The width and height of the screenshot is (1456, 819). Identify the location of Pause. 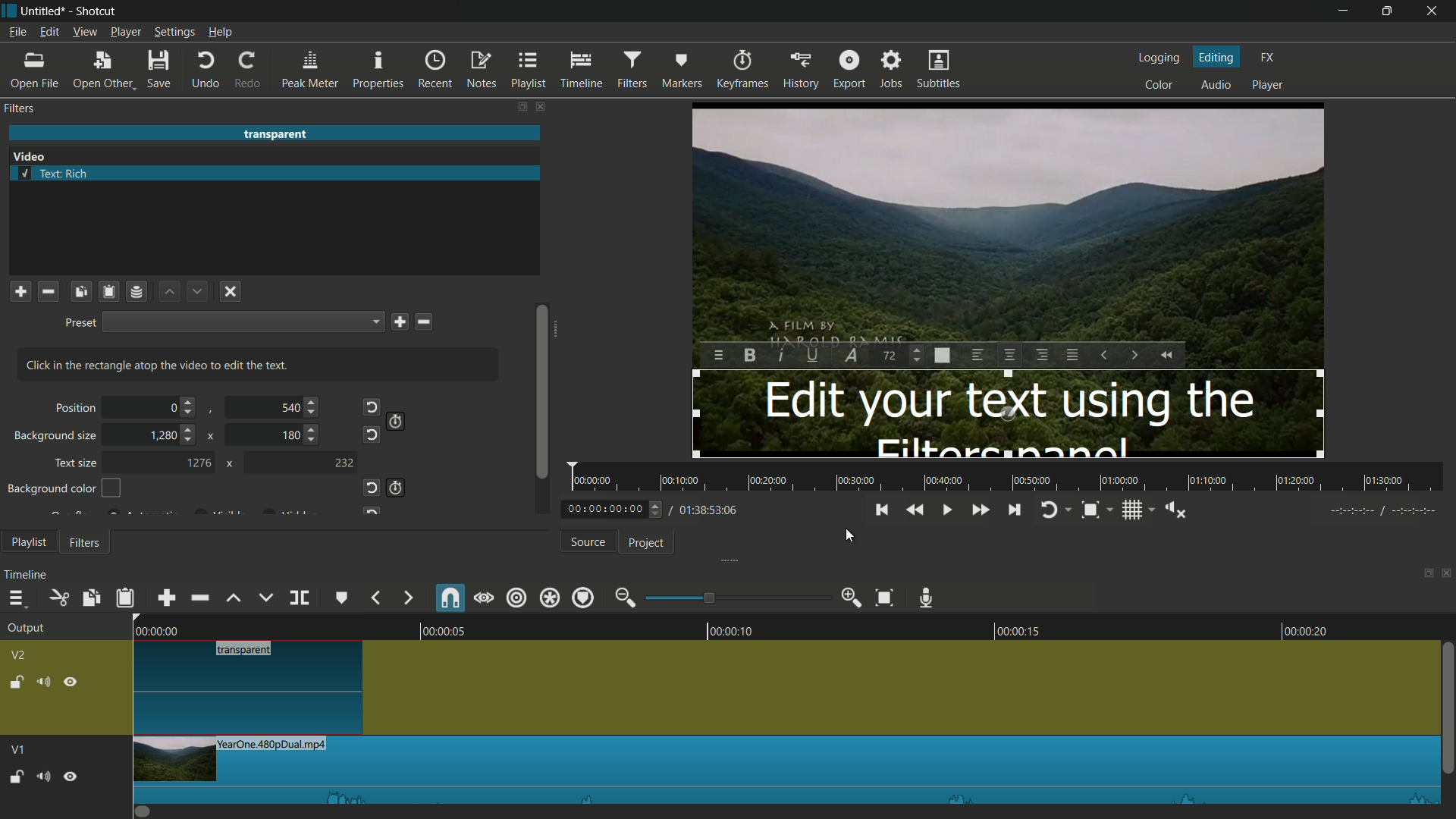
(71, 775).